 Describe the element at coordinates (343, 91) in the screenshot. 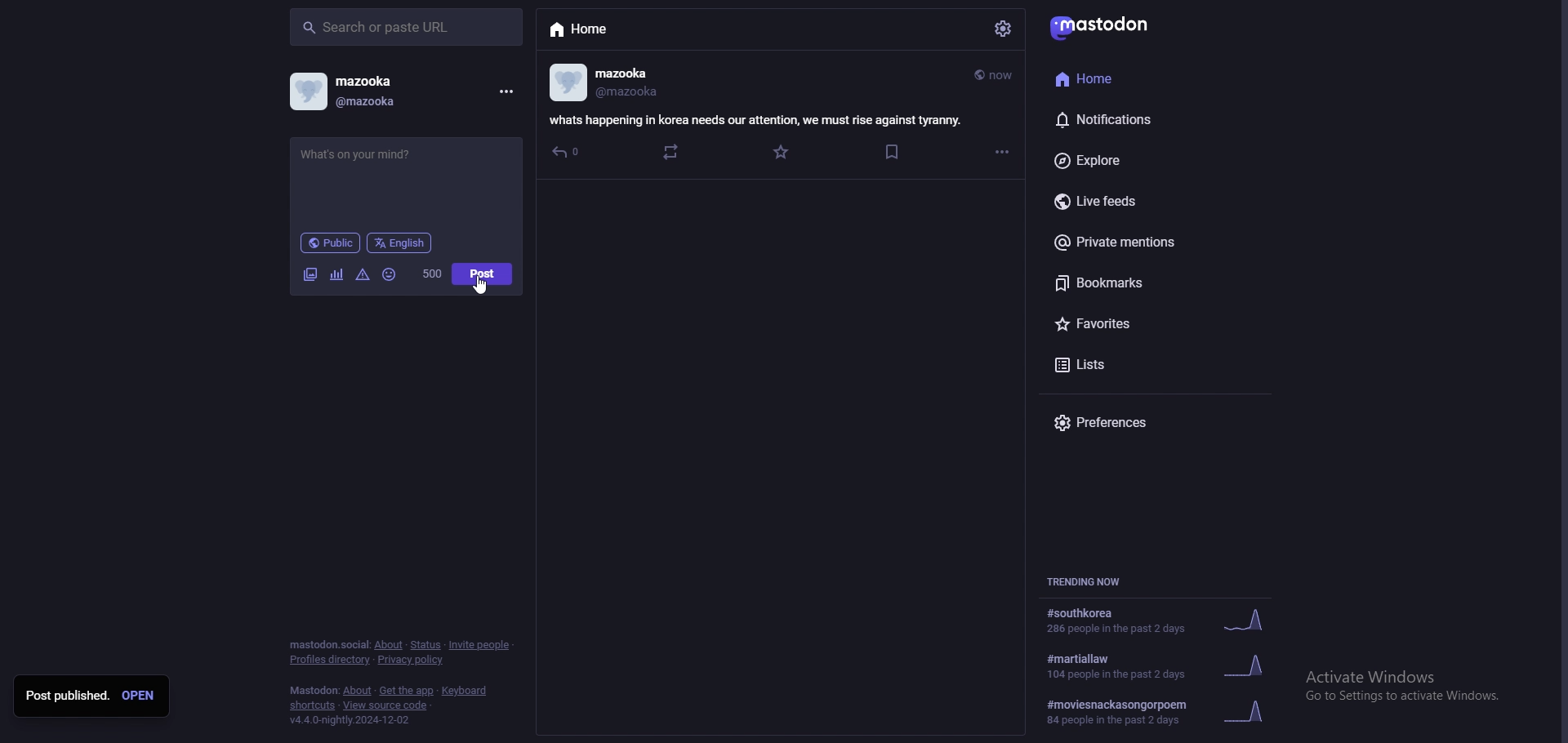

I see `profile` at that location.